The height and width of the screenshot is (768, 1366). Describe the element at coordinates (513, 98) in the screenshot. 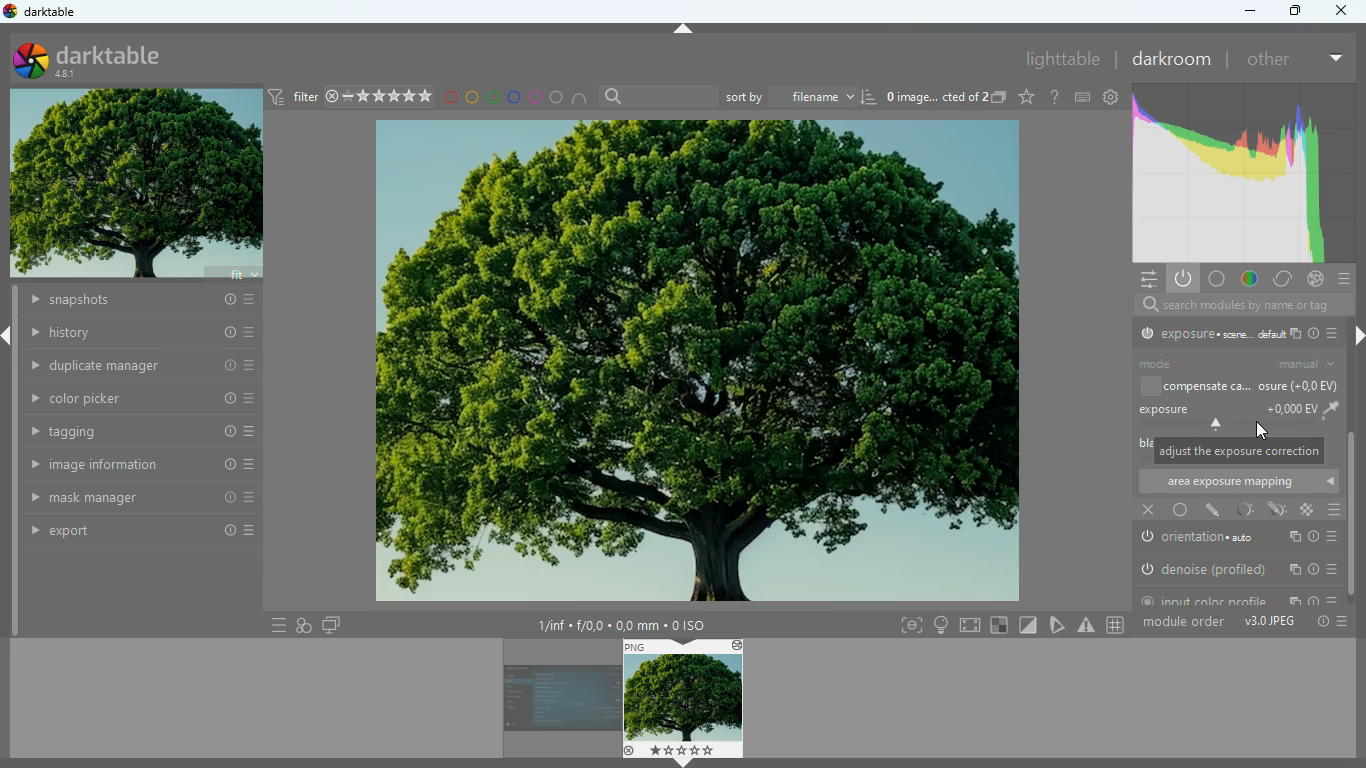

I see `blue` at that location.